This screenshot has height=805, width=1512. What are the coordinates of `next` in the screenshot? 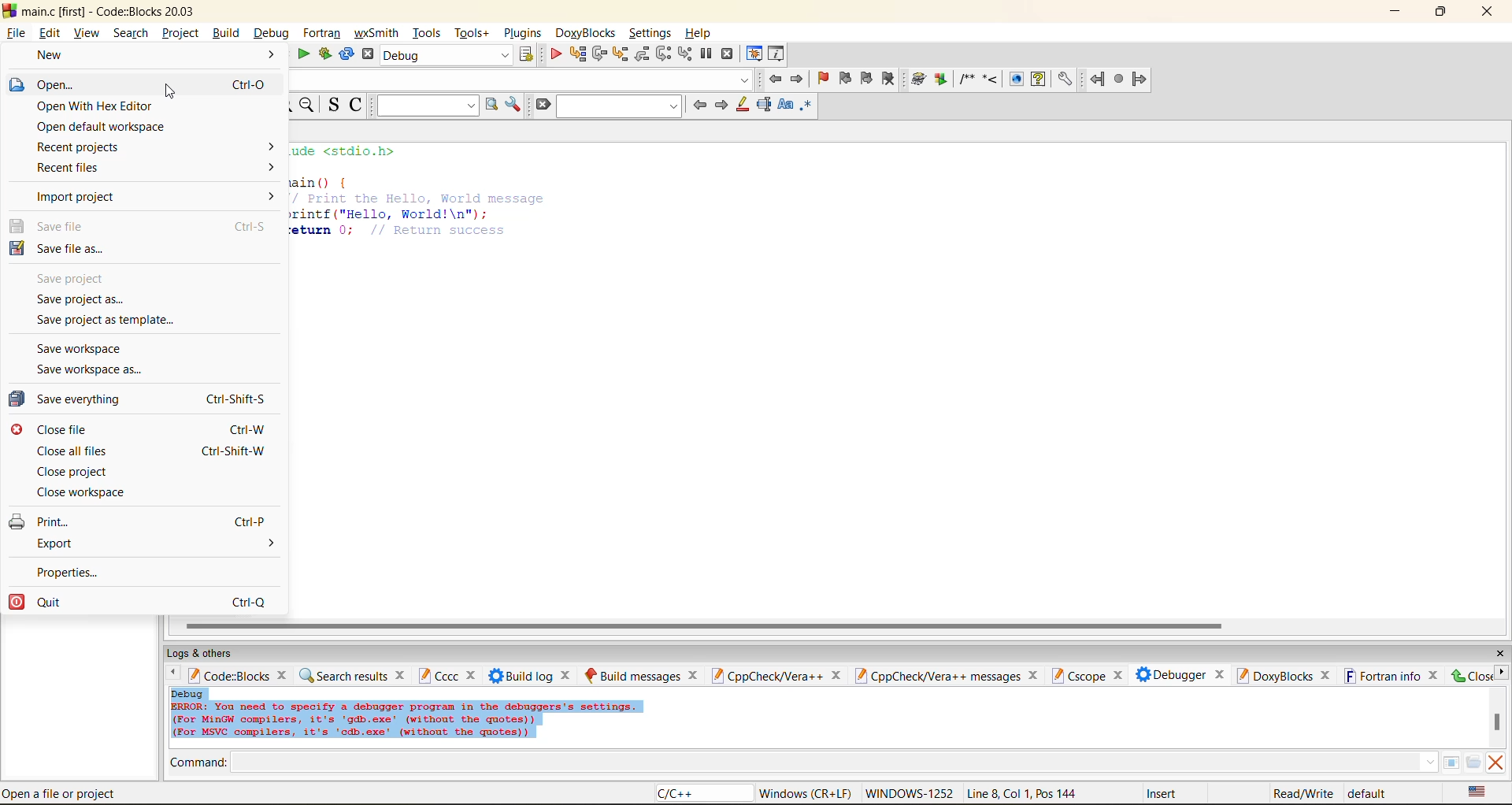 It's located at (1501, 672).